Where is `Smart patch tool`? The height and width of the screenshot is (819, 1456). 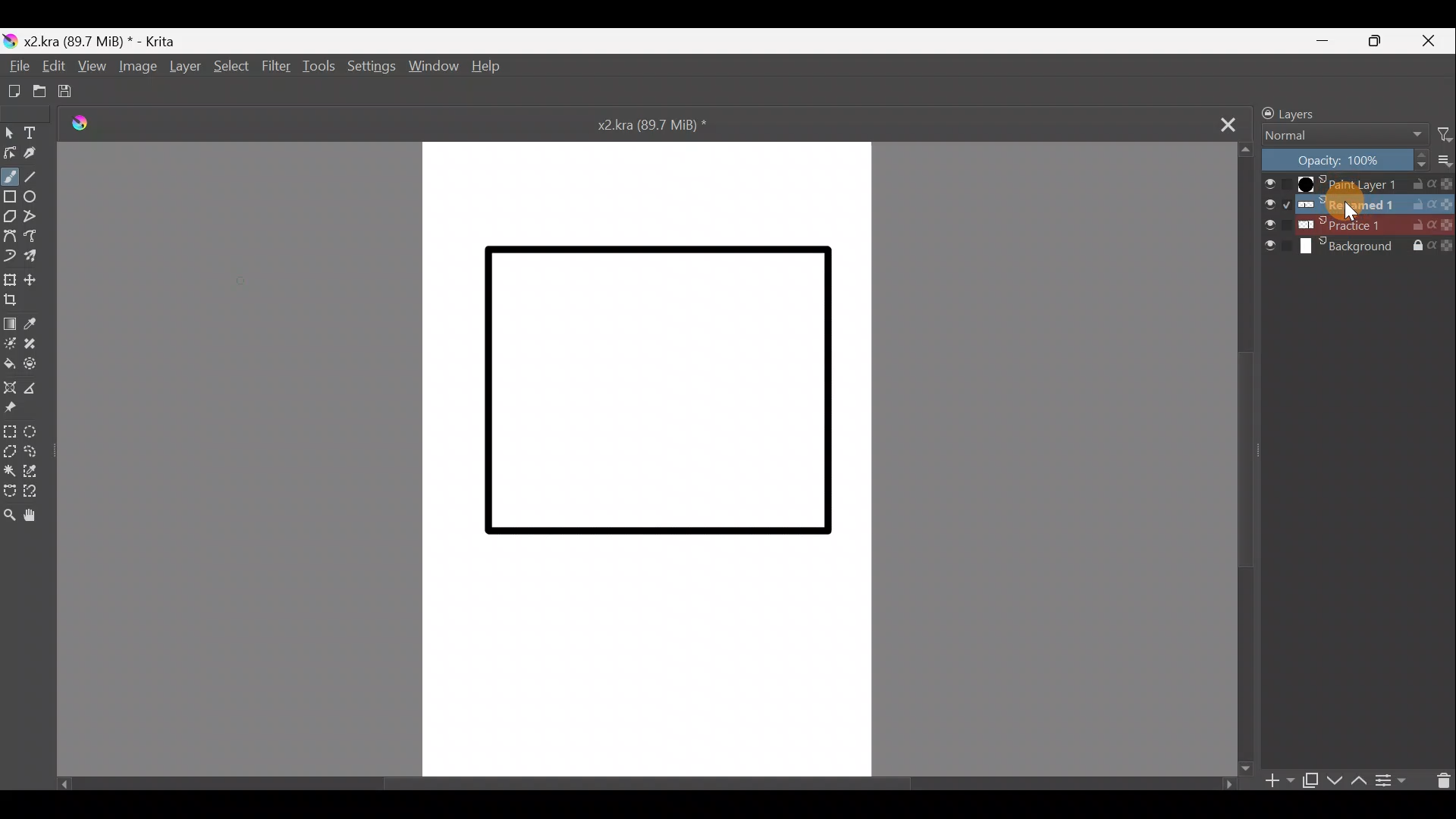 Smart patch tool is located at coordinates (35, 344).